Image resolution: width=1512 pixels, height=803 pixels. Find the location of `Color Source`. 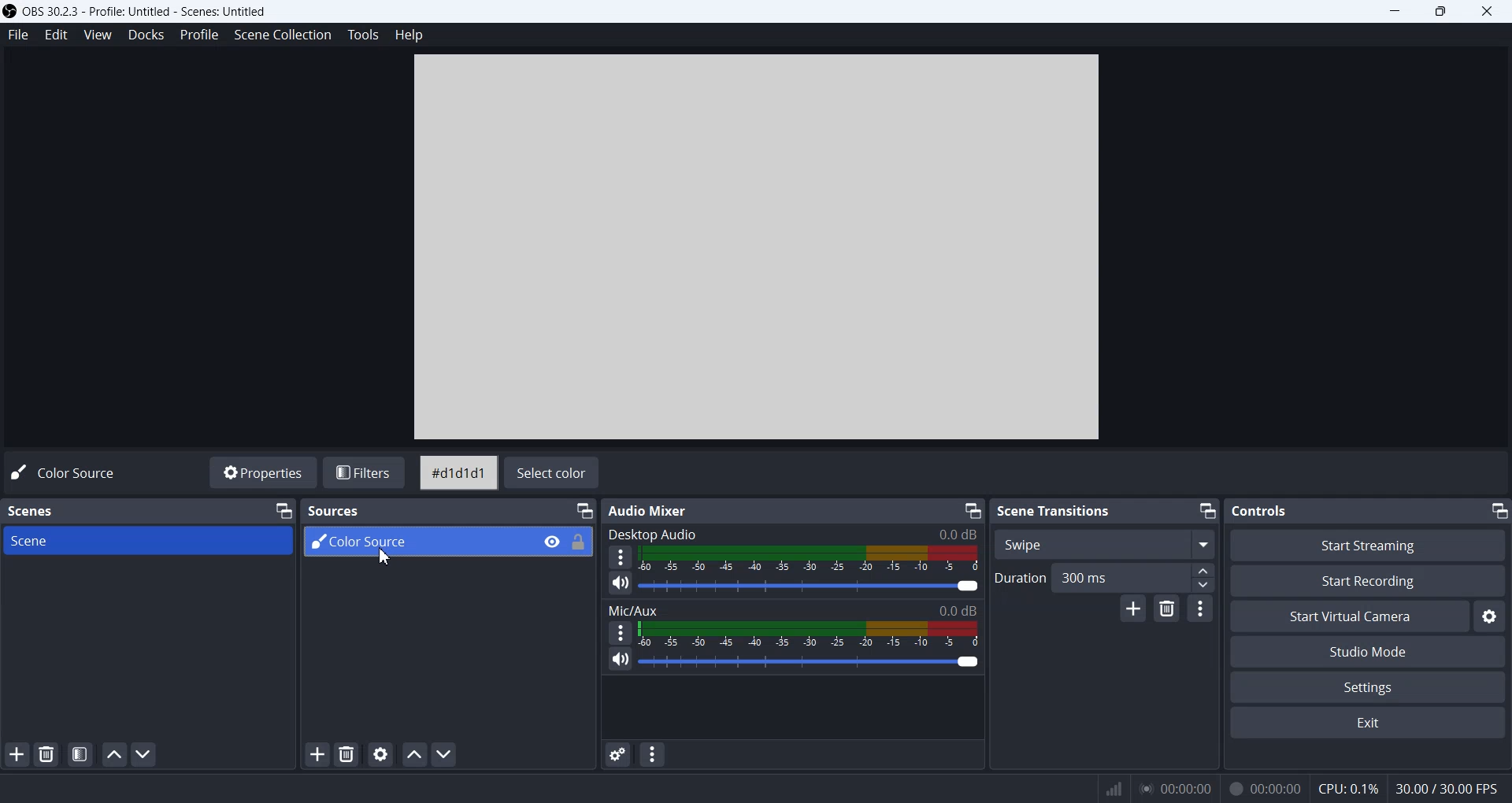

Color Source is located at coordinates (67, 472).